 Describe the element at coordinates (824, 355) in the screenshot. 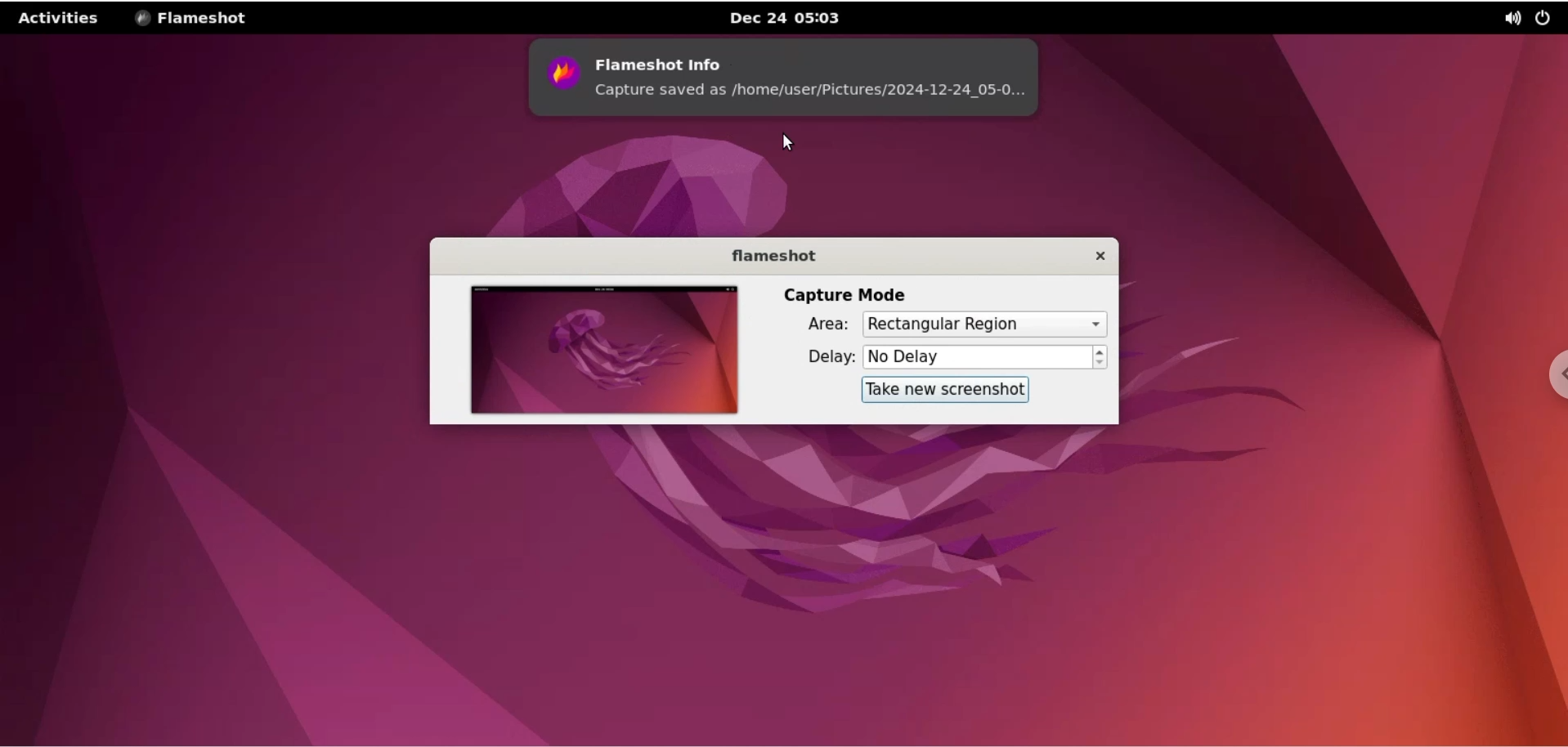

I see `delay:` at that location.